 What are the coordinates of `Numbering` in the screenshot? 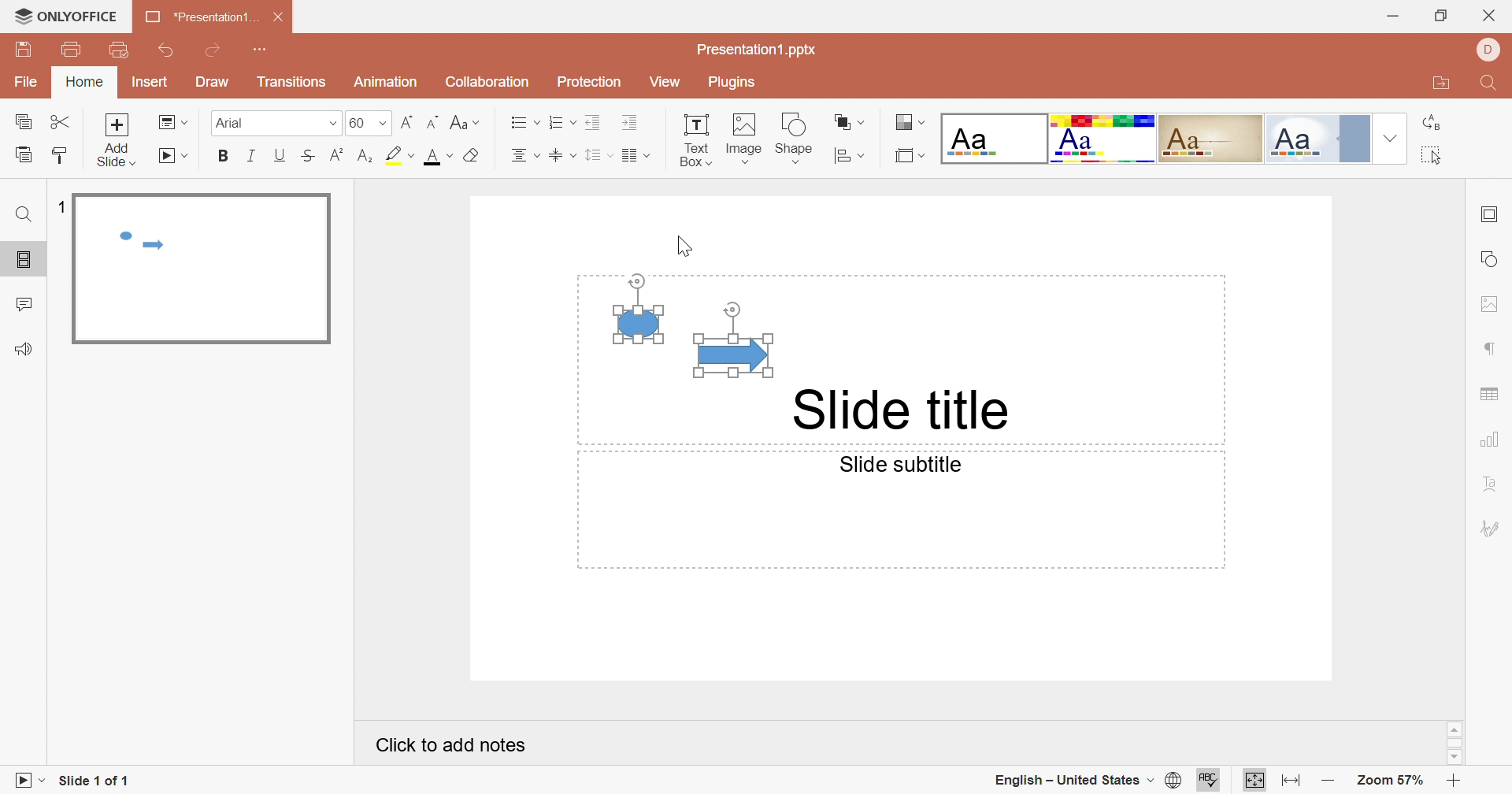 It's located at (559, 122).